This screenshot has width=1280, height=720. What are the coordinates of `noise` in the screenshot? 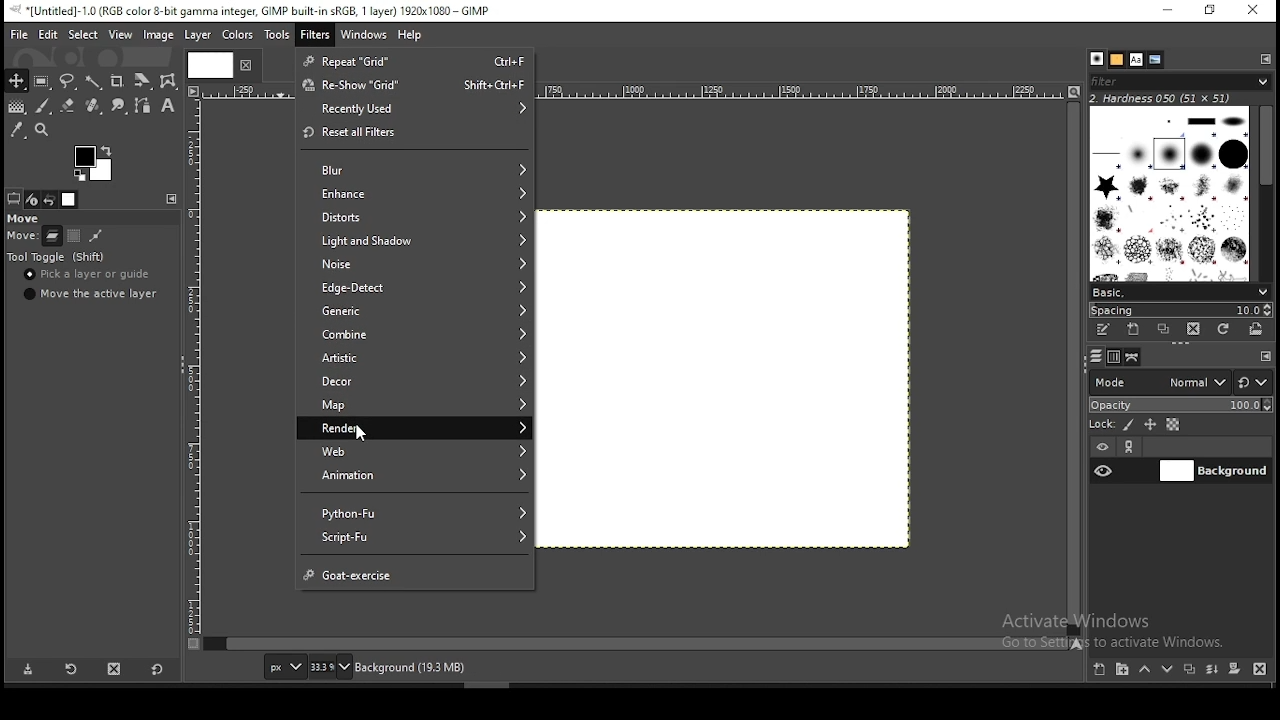 It's located at (416, 265).